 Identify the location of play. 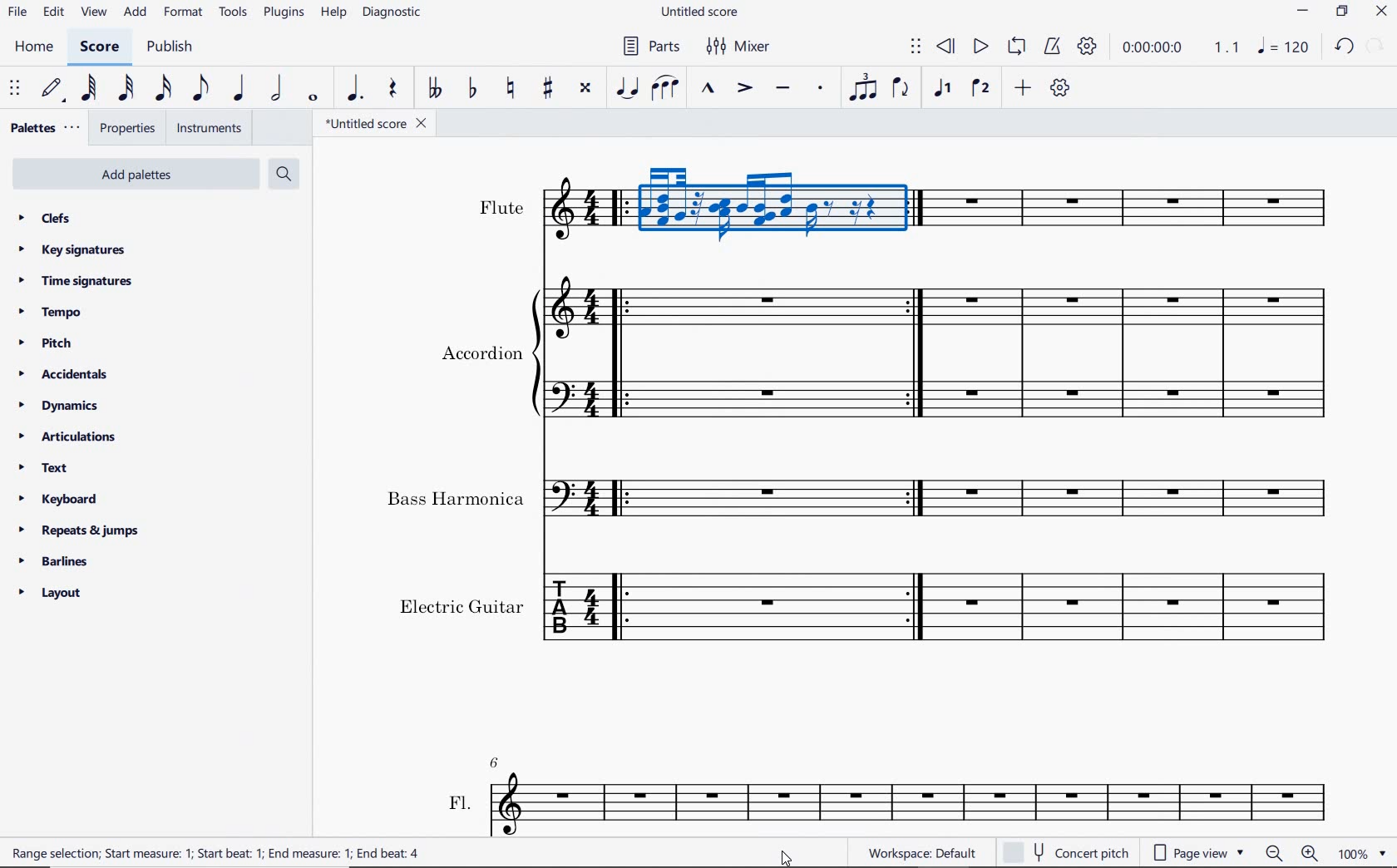
(981, 47).